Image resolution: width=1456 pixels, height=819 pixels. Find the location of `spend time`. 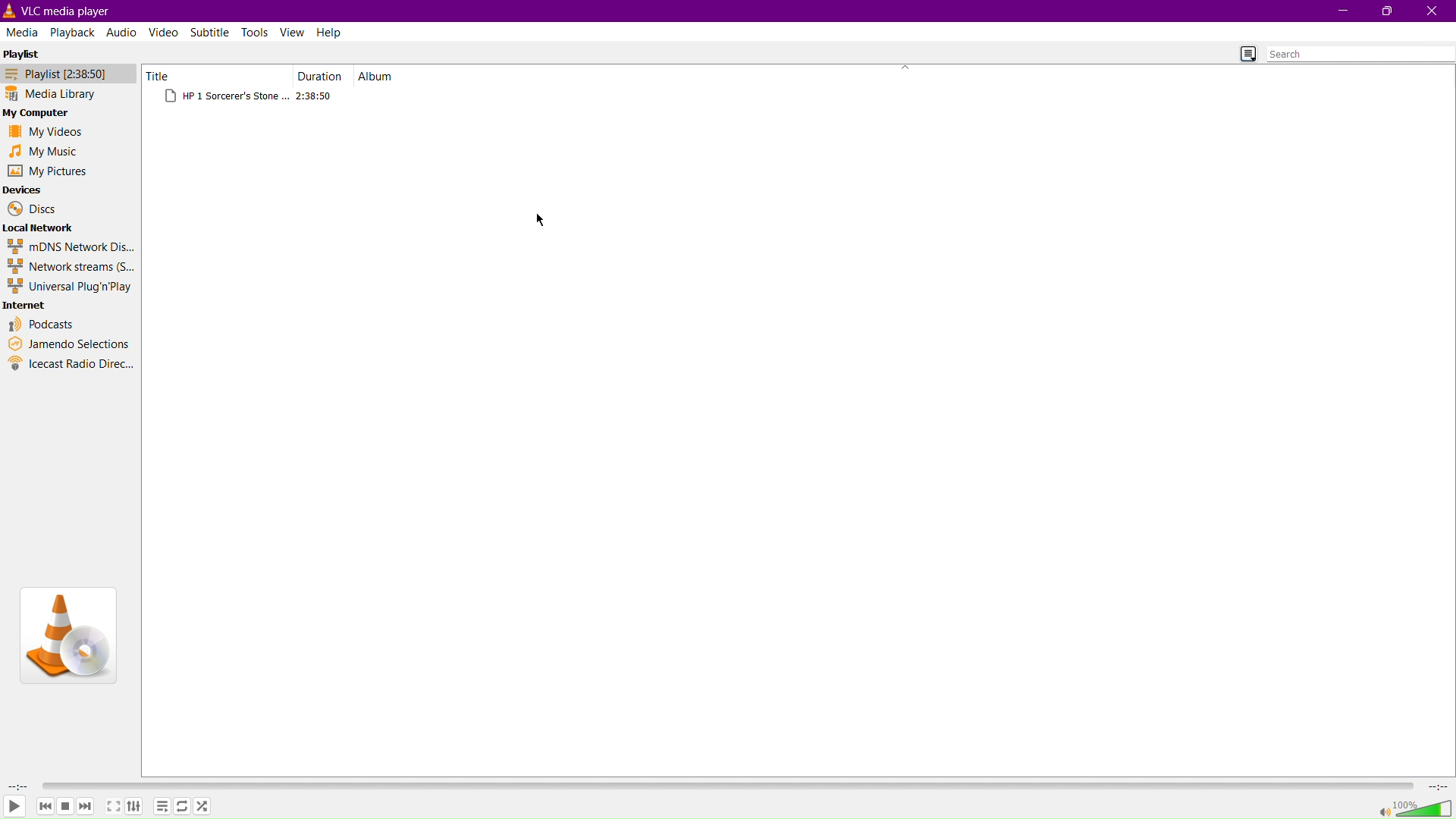

spend time is located at coordinates (15, 786).